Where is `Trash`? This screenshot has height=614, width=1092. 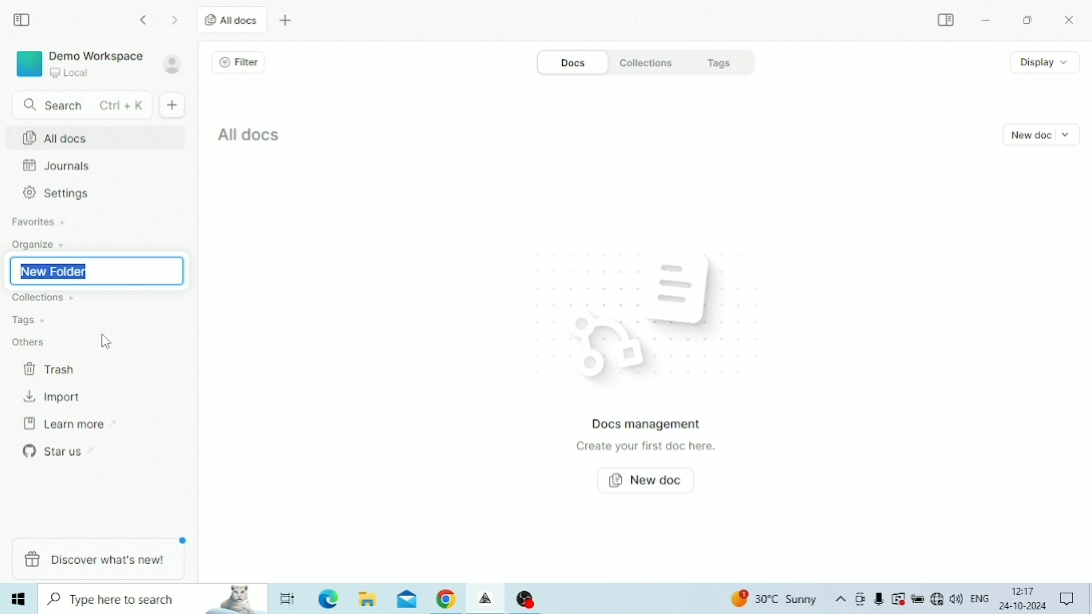
Trash is located at coordinates (52, 371).